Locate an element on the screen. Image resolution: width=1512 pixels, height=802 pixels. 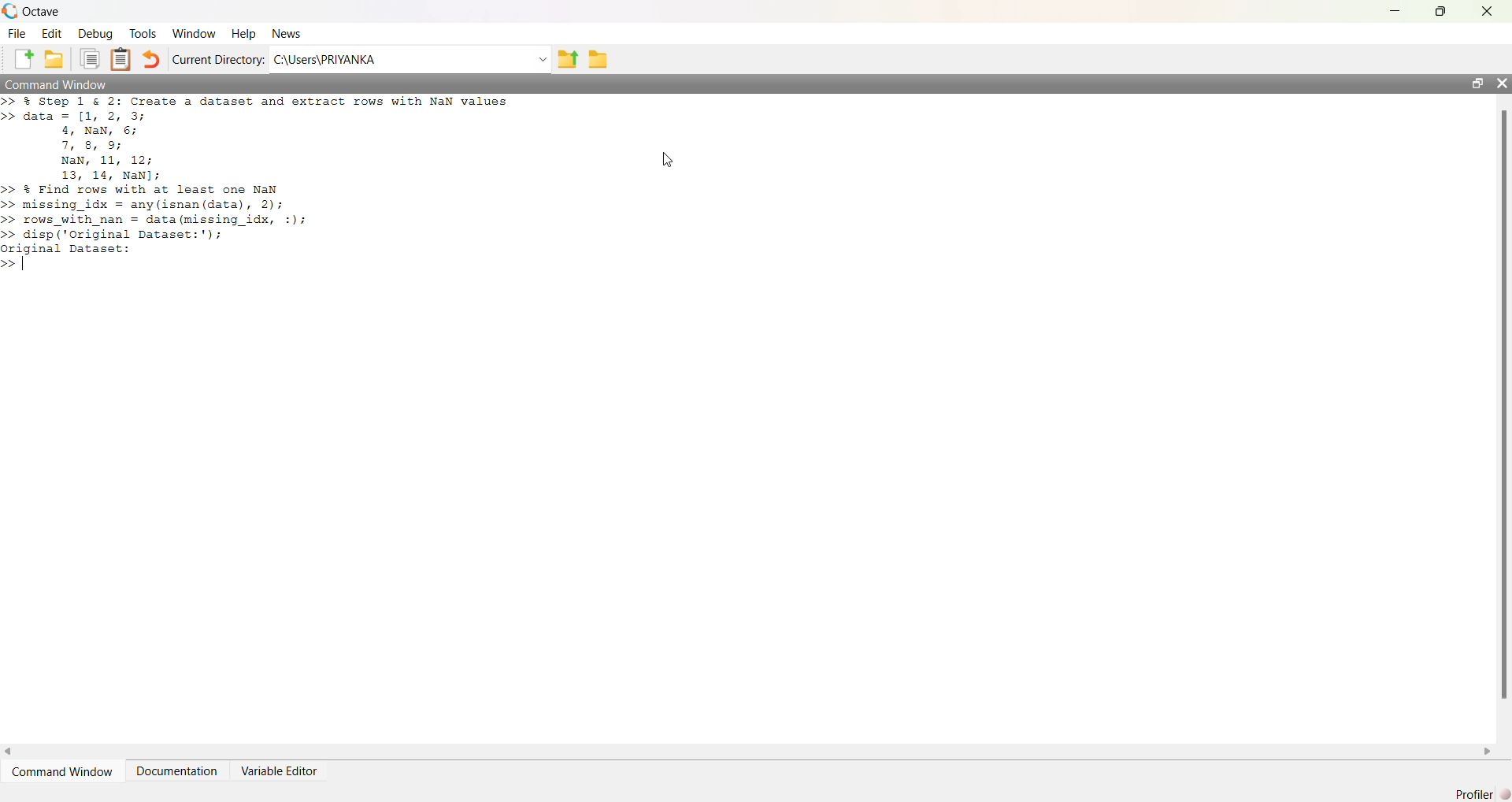
Undo is located at coordinates (150, 59).